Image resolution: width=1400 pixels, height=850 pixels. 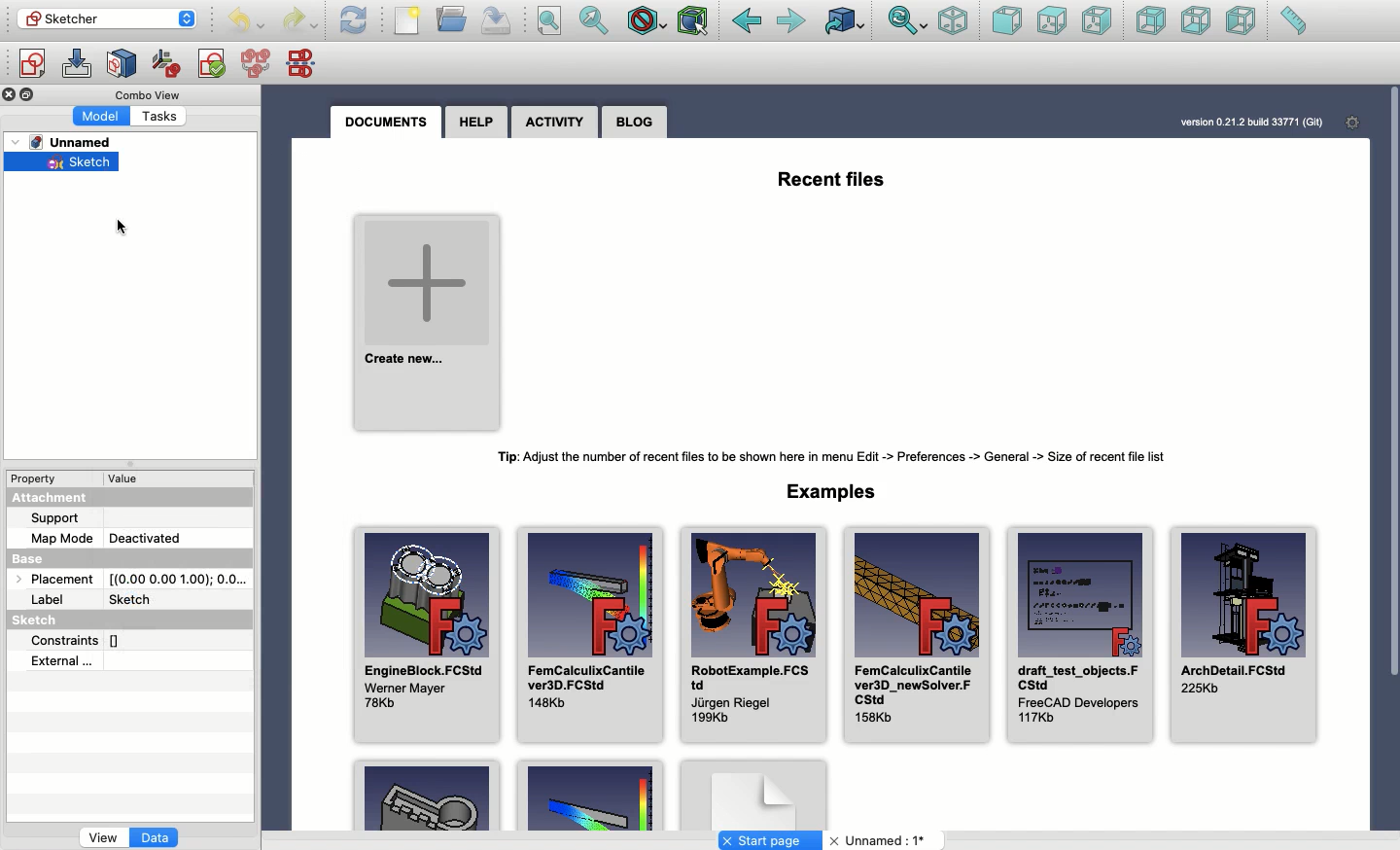 I want to click on Settings, so click(x=1347, y=122).